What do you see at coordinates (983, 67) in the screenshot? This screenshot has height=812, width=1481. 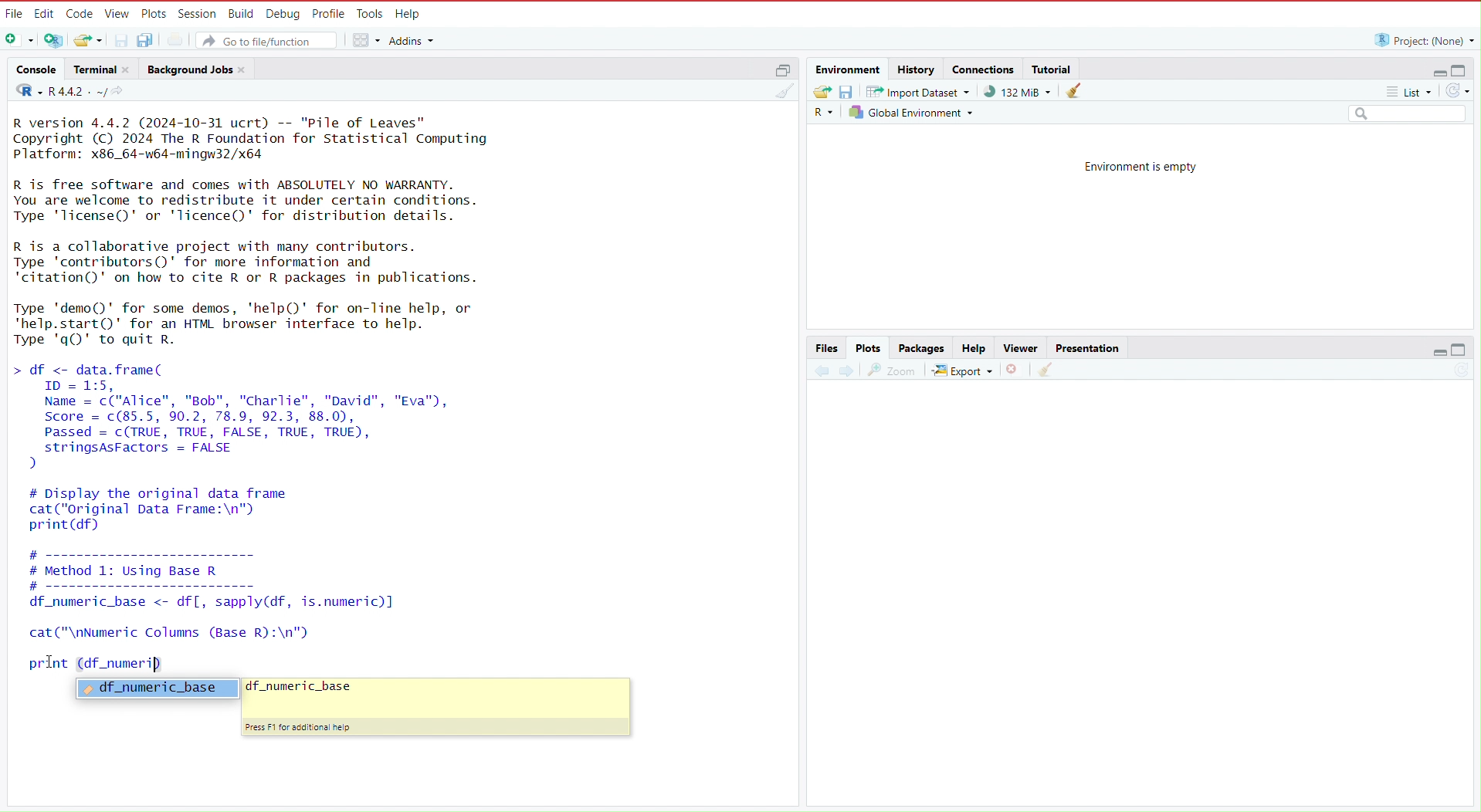 I see `connections` at bounding box center [983, 67].